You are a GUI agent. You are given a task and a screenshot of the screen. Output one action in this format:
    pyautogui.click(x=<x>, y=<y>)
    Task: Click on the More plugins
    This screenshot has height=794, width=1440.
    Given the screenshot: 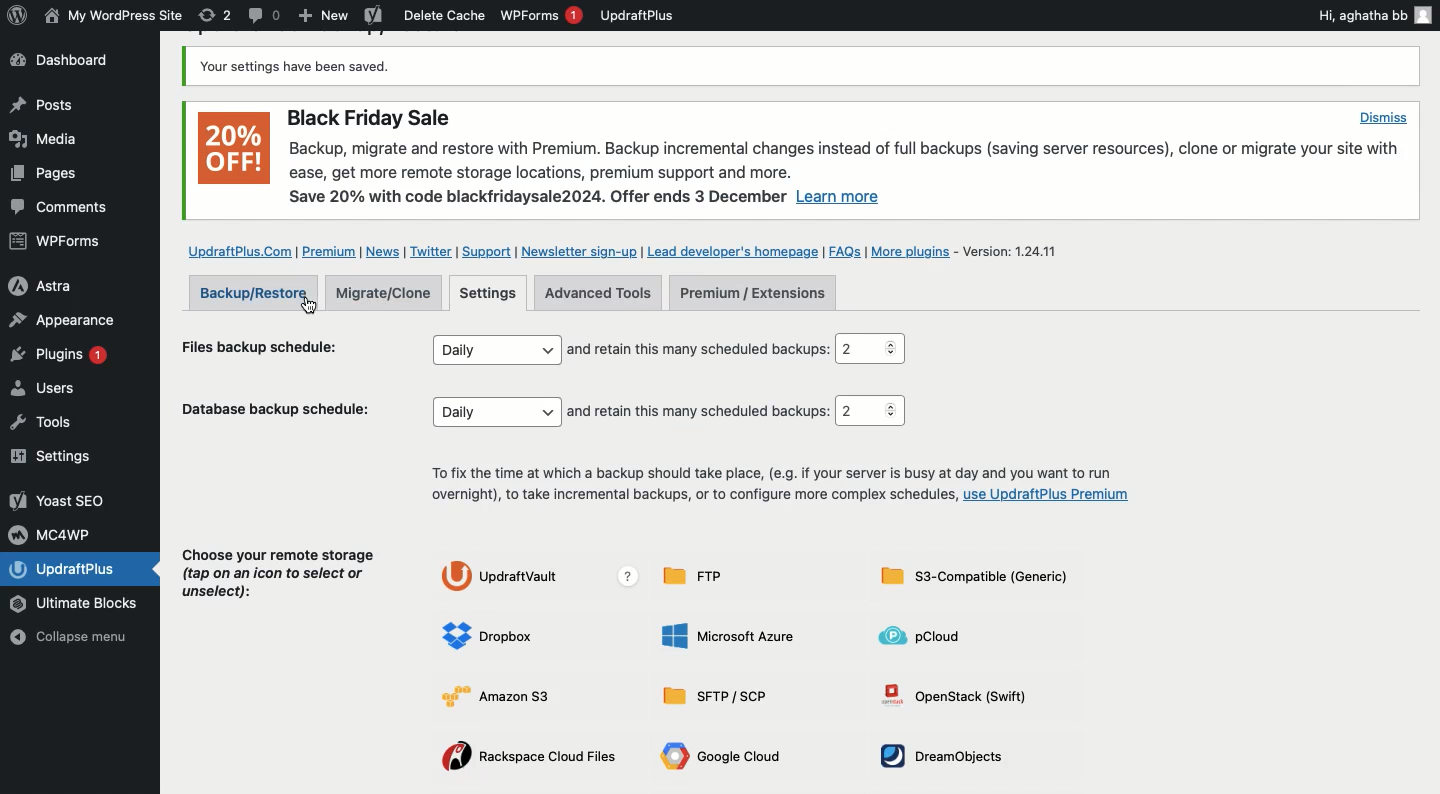 What is the action you would take?
    pyautogui.click(x=912, y=252)
    